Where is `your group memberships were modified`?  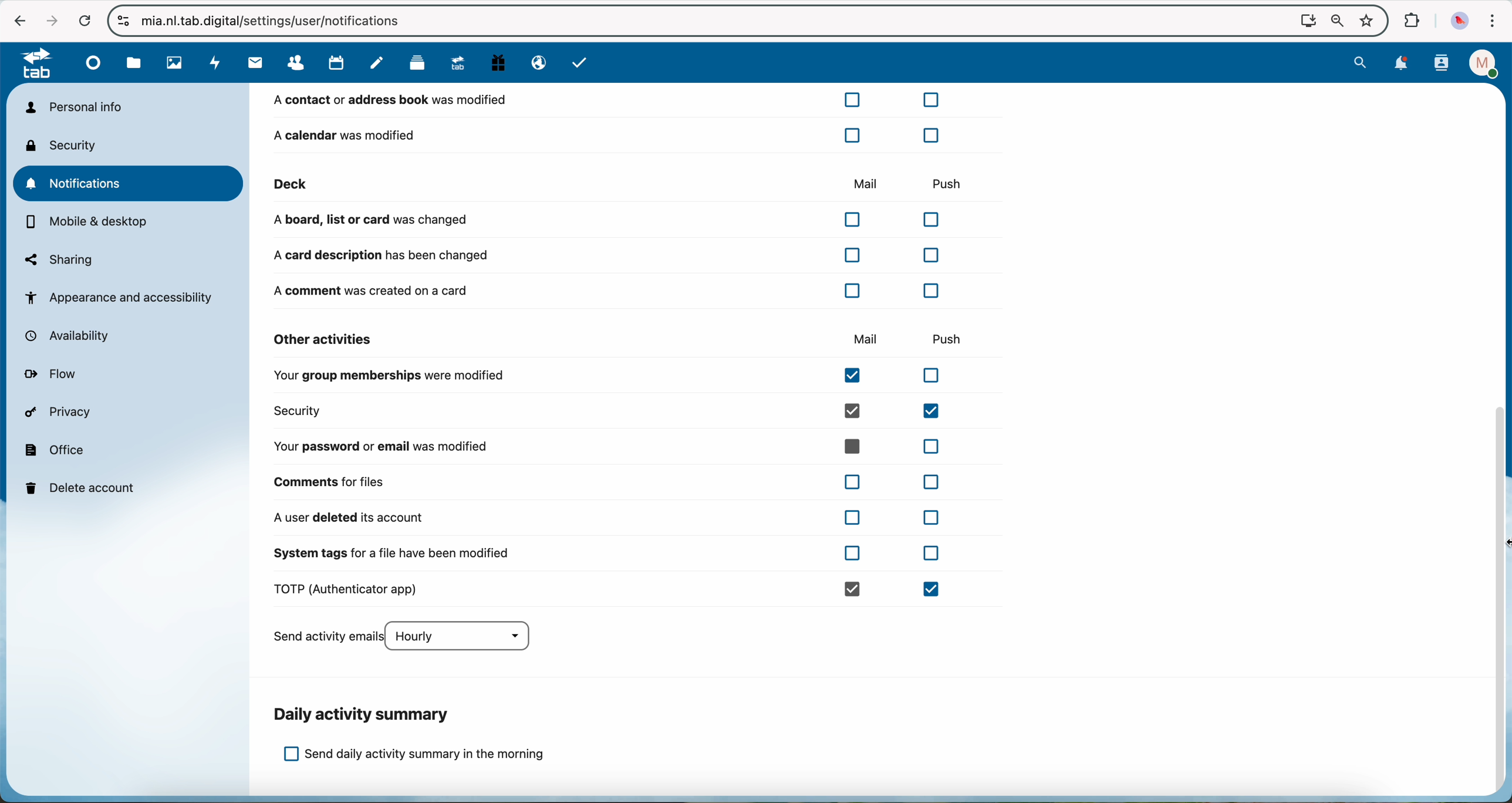
your group memberships were modified is located at coordinates (614, 377).